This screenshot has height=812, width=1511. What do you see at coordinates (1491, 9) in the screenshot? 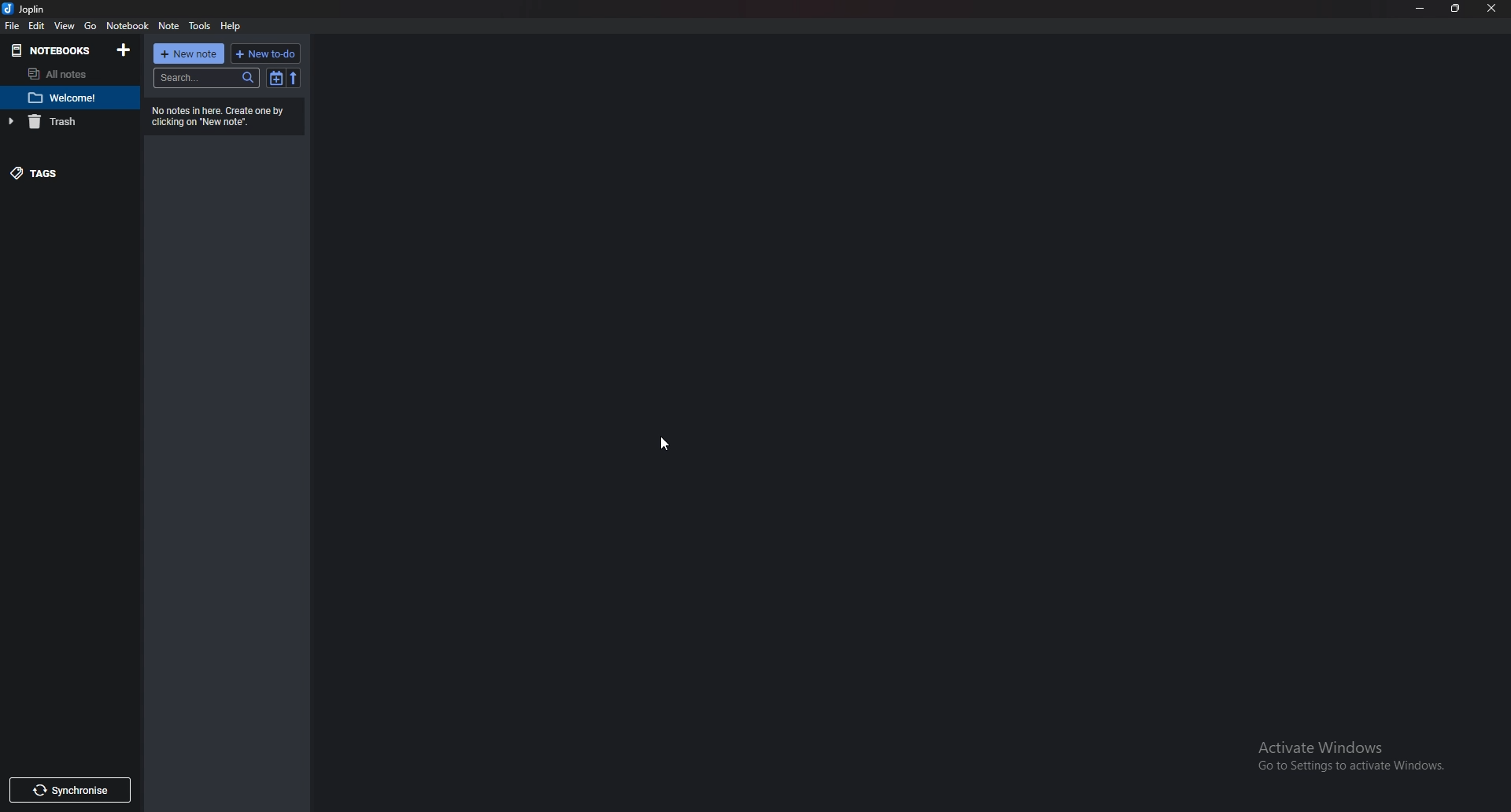
I see `close` at bounding box center [1491, 9].